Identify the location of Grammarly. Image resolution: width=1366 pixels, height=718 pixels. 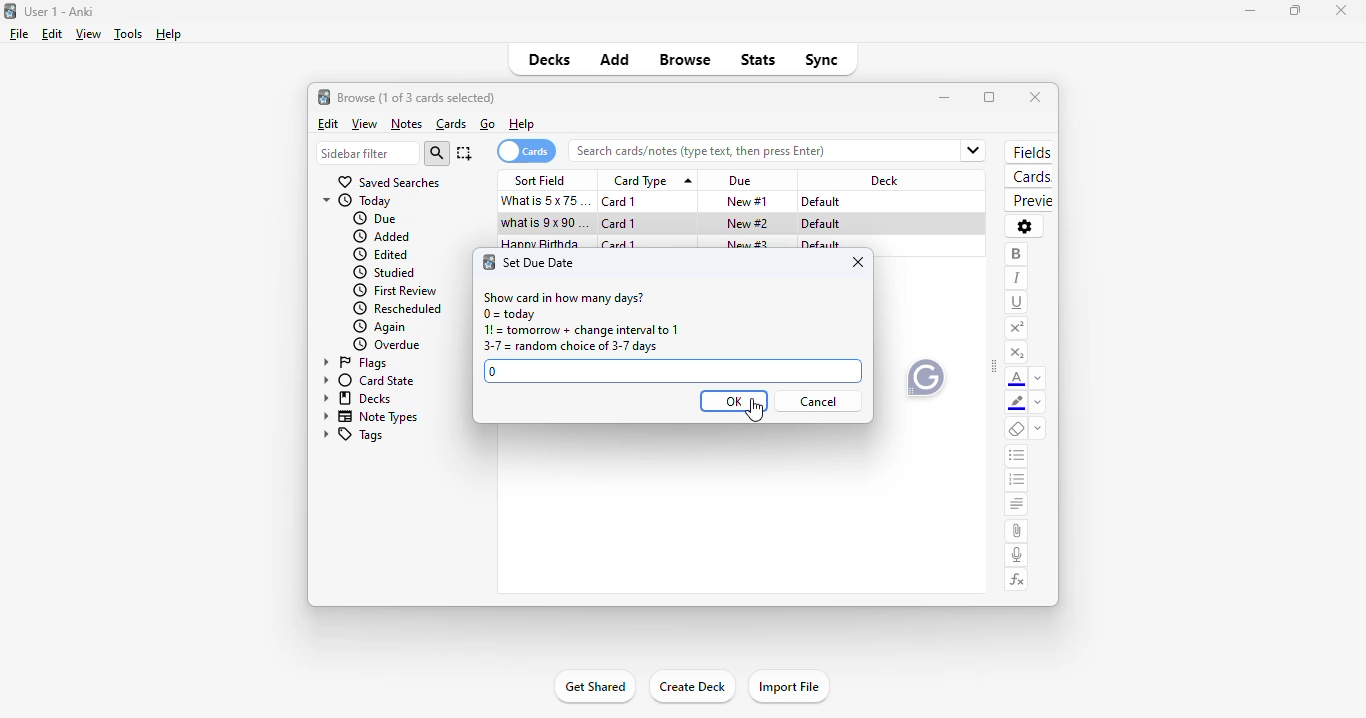
(925, 376).